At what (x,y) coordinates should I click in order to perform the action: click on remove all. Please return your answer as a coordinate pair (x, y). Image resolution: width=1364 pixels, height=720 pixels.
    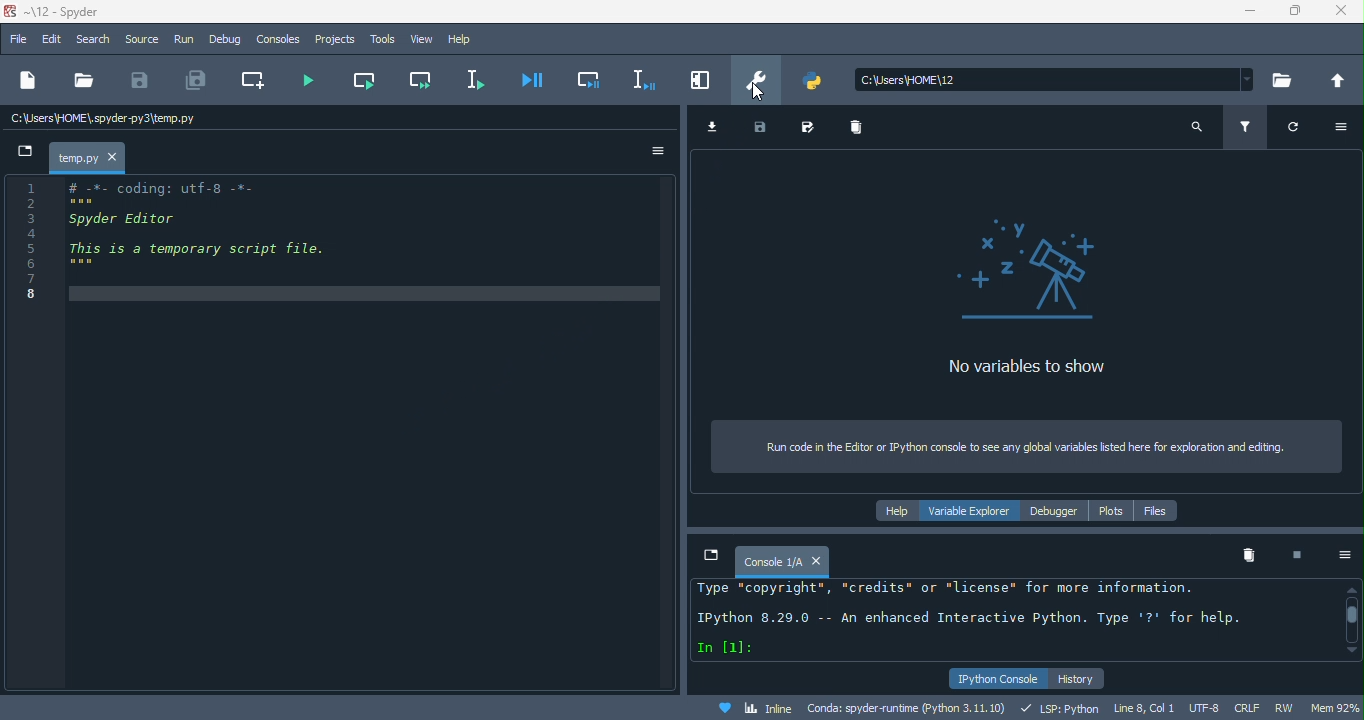
    Looking at the image, I should click on (1249, 556).